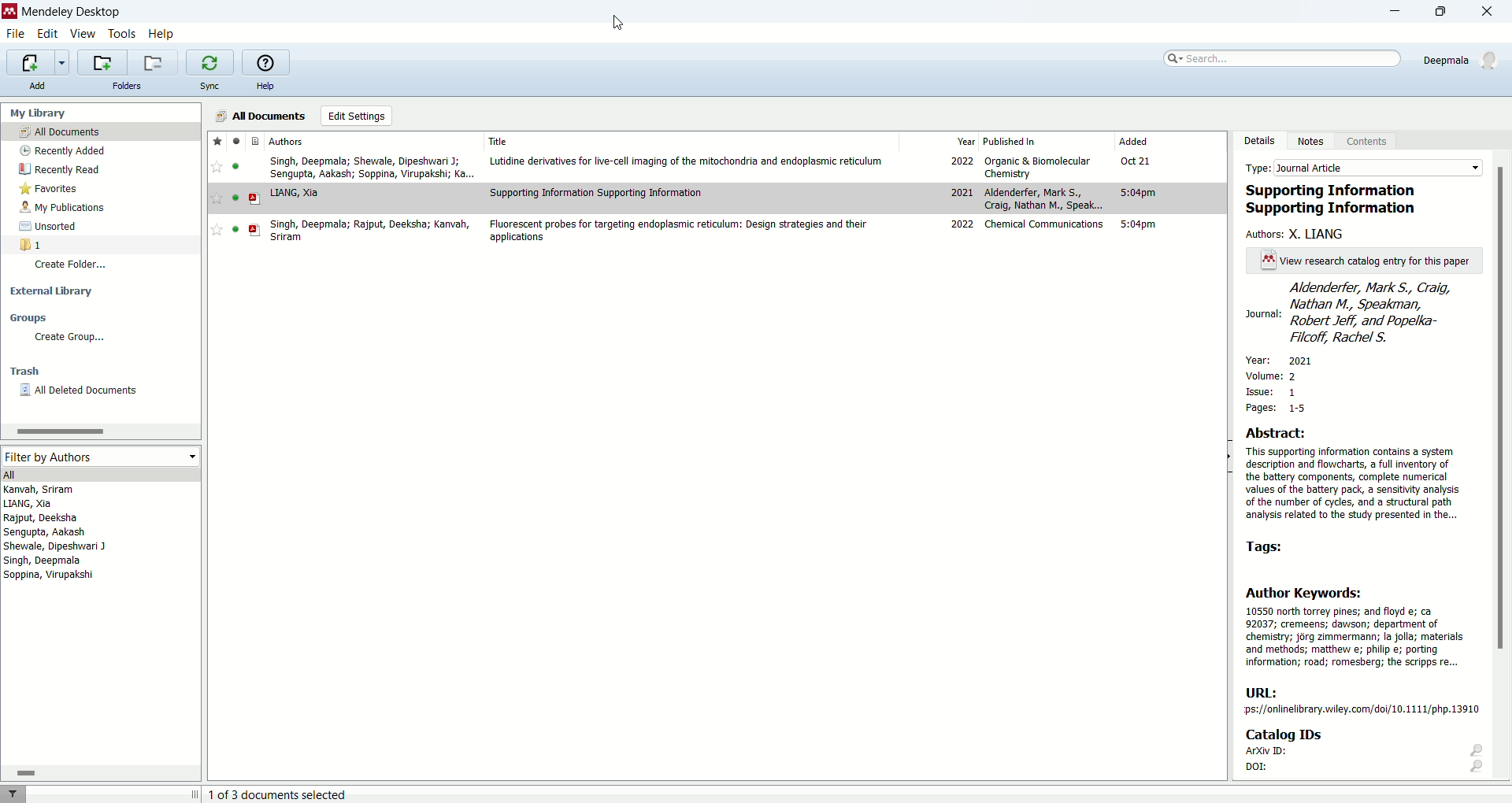 This screenshot has width=1512, height=803. I want to click on favorites, so click(217, 141).